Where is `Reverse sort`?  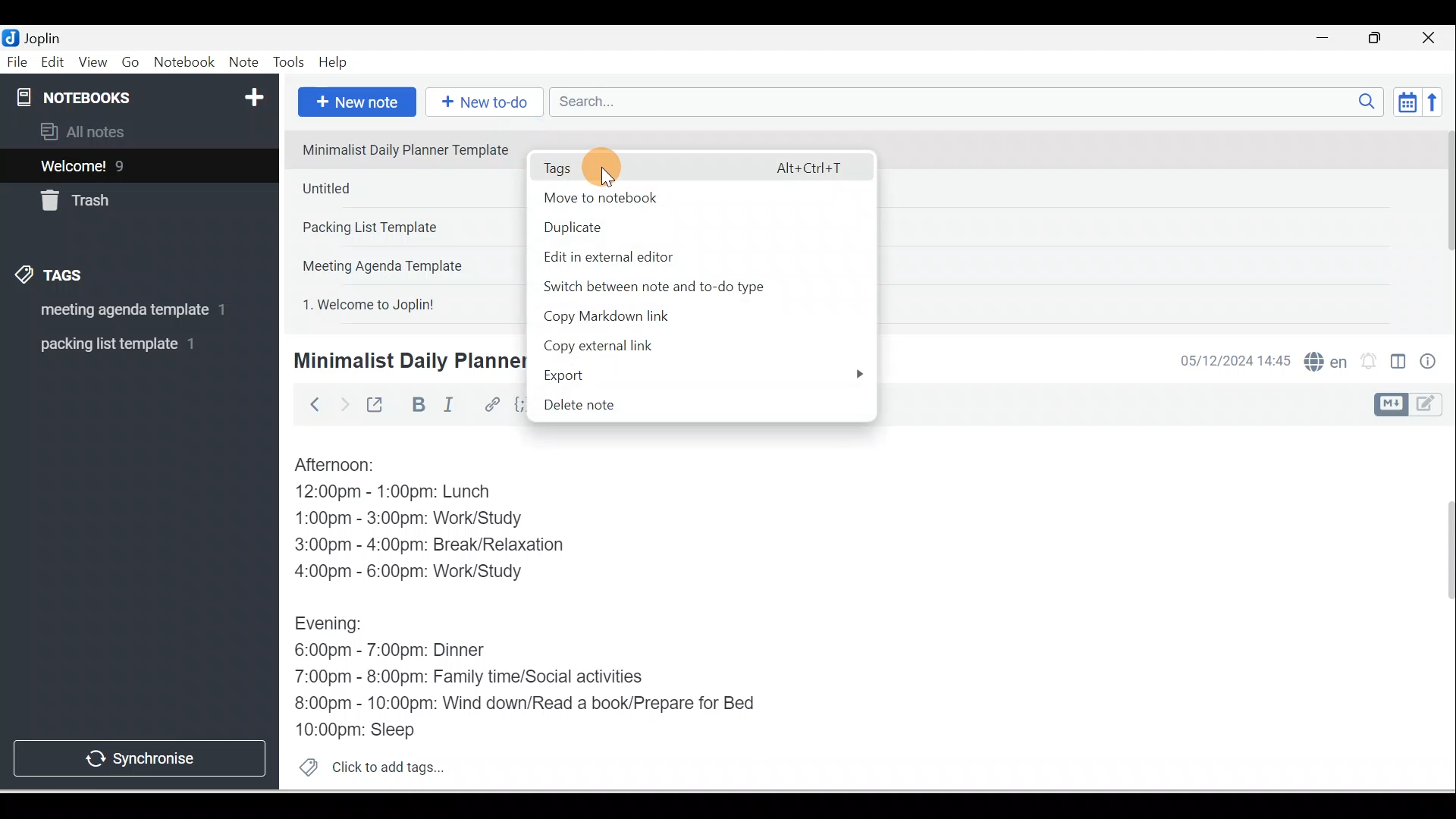 Reverse sort is located at coordinates (1437, 102).